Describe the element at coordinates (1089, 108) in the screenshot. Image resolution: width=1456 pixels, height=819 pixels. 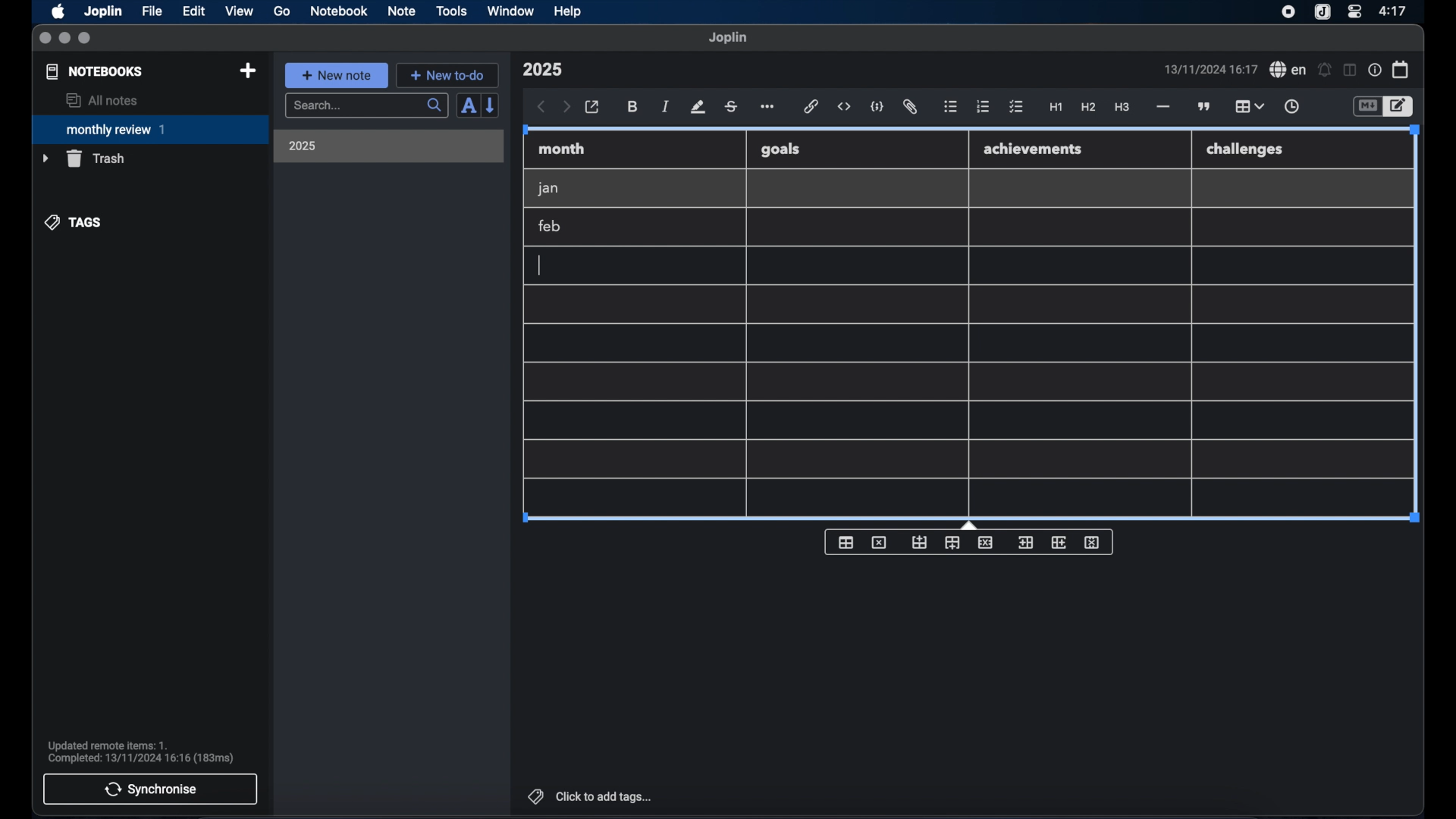
I see `heading 2` at that location.